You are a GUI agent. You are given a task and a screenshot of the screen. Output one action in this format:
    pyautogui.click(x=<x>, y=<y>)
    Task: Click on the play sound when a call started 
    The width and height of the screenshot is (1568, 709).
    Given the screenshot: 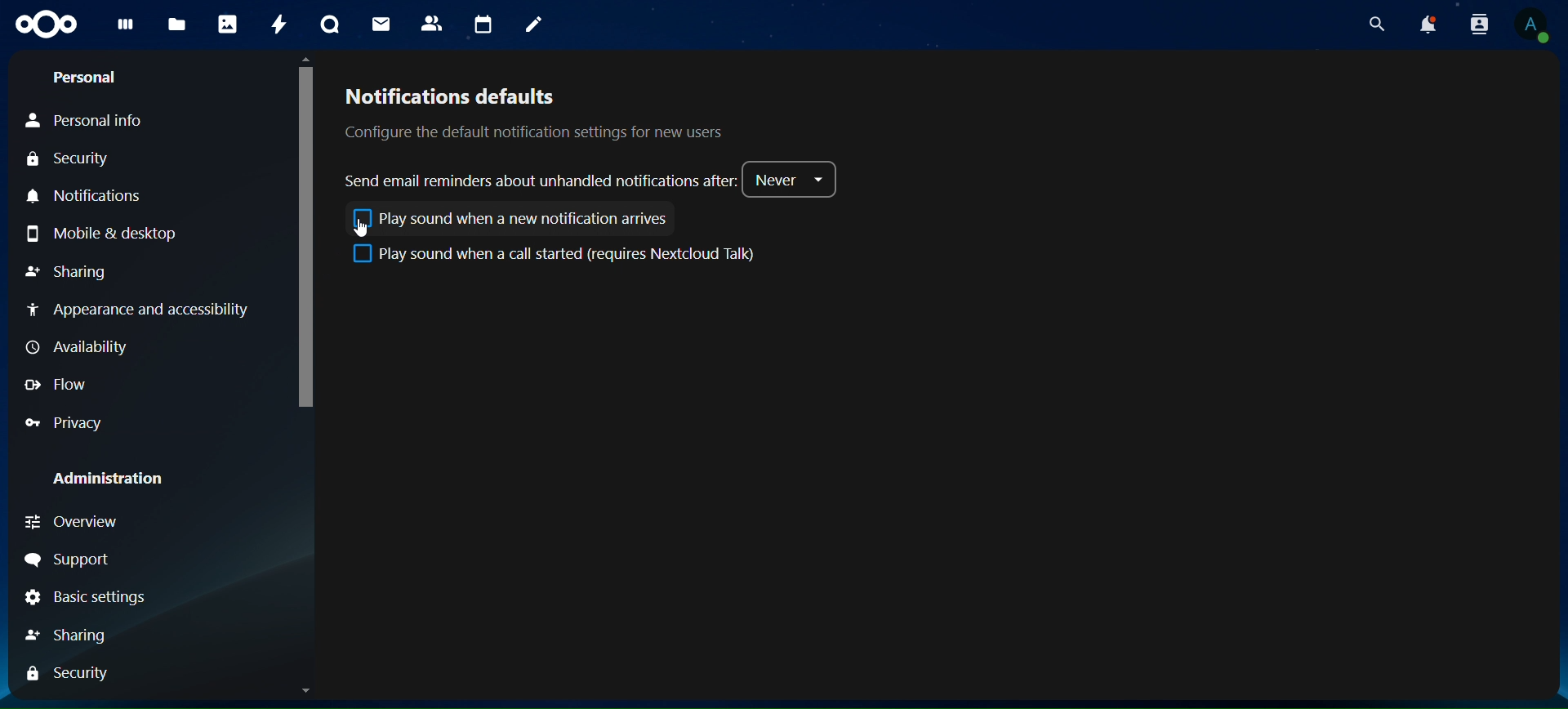 What is the action you would take?
    pyautogui.click(x=555, y=254)
    